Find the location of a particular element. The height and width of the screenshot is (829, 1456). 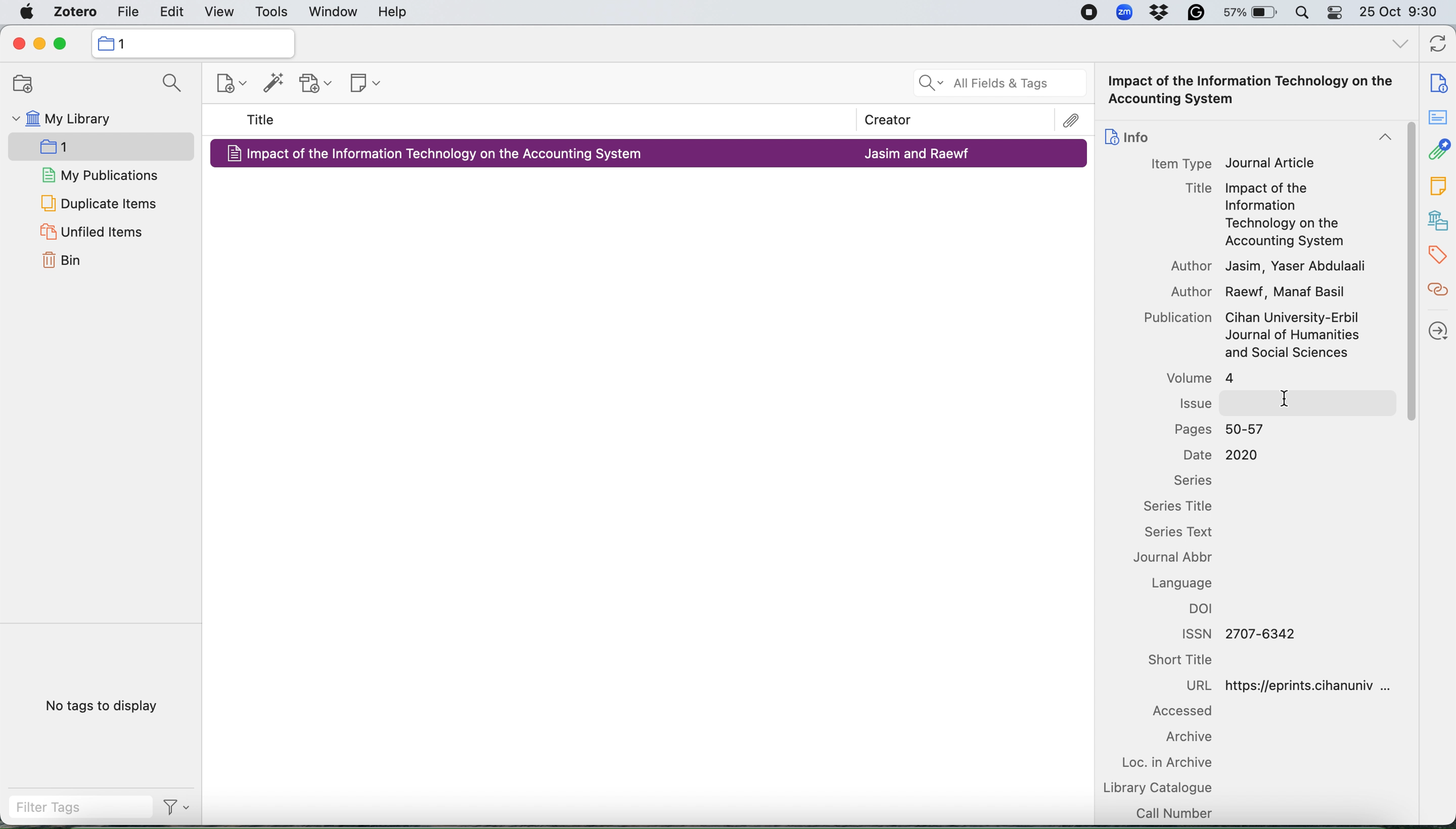

Publication is located at coordinates (1175, 319).